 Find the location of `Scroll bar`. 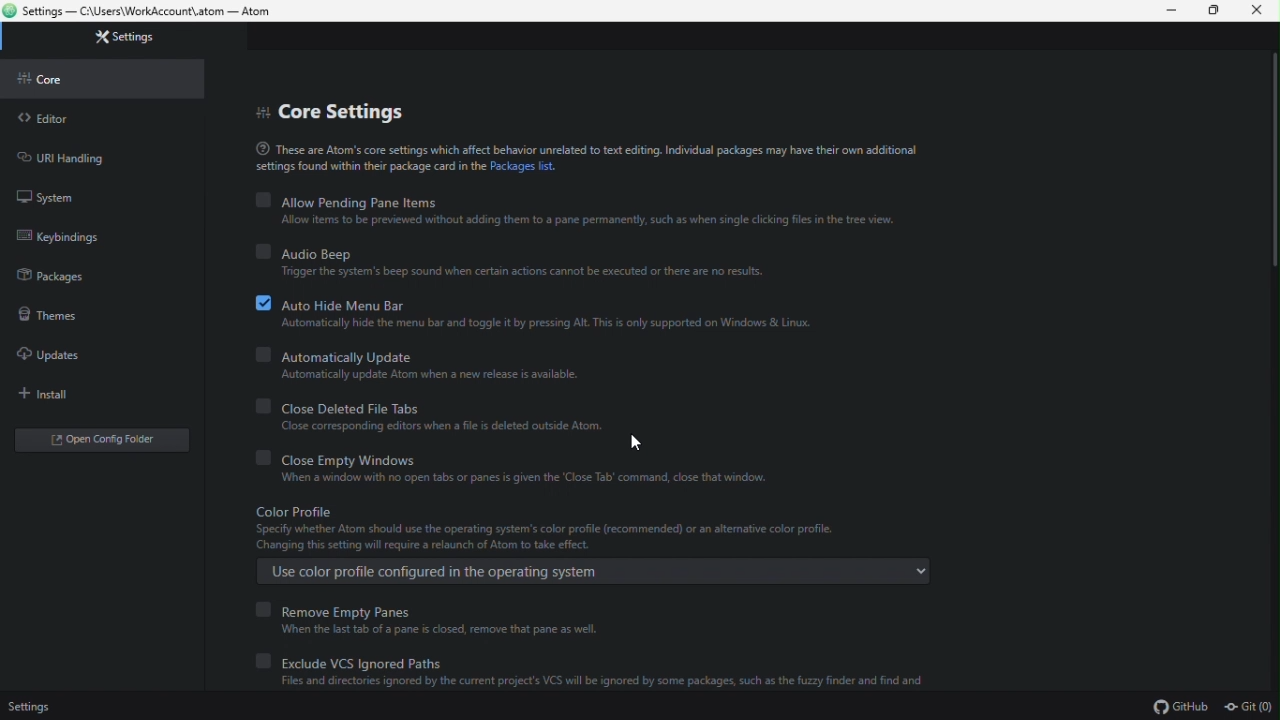

Scroll bar is located at coordinates (1272, 164).